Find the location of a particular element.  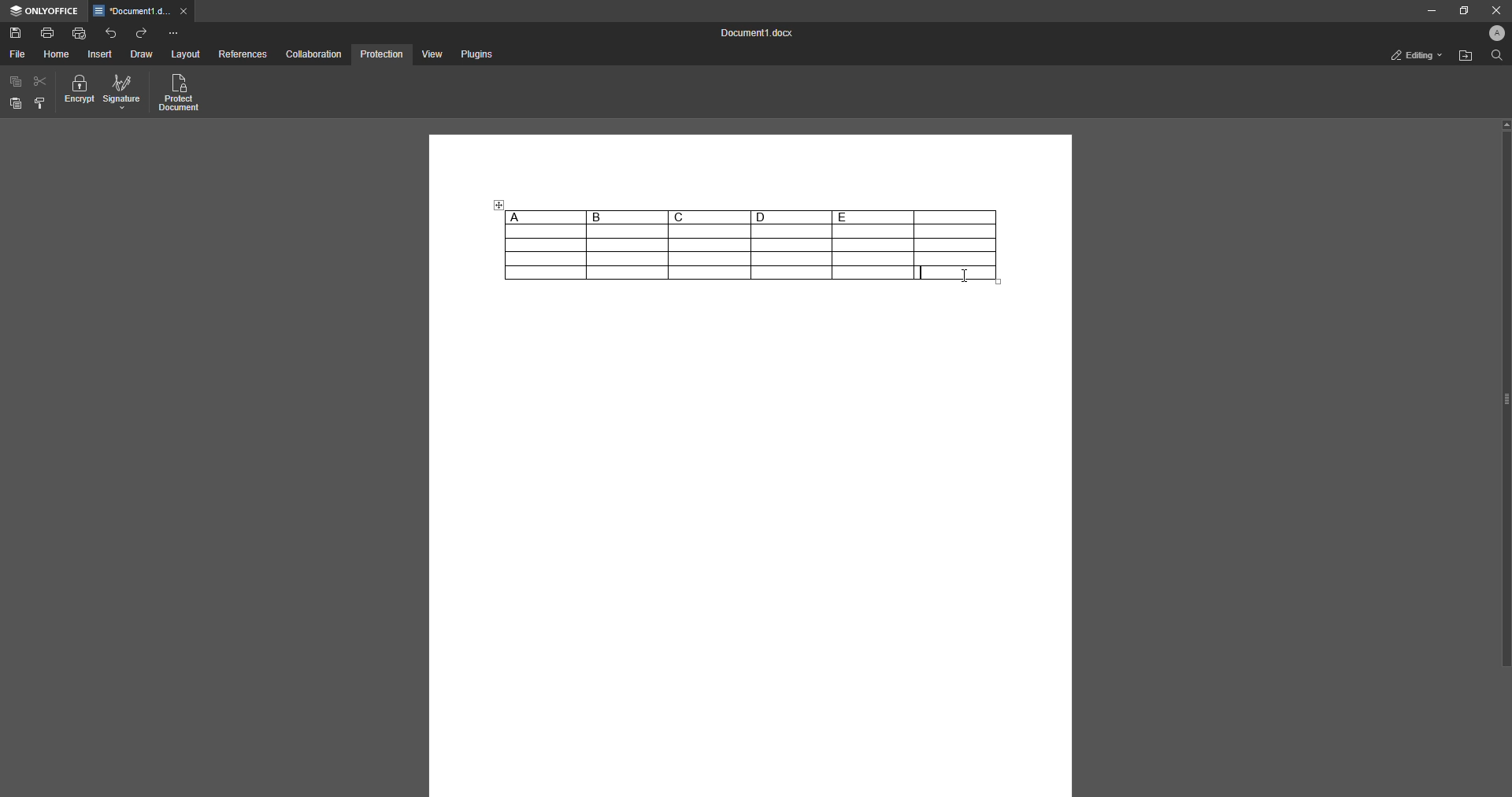

Cursor Position is located at coordinates (964, 274).